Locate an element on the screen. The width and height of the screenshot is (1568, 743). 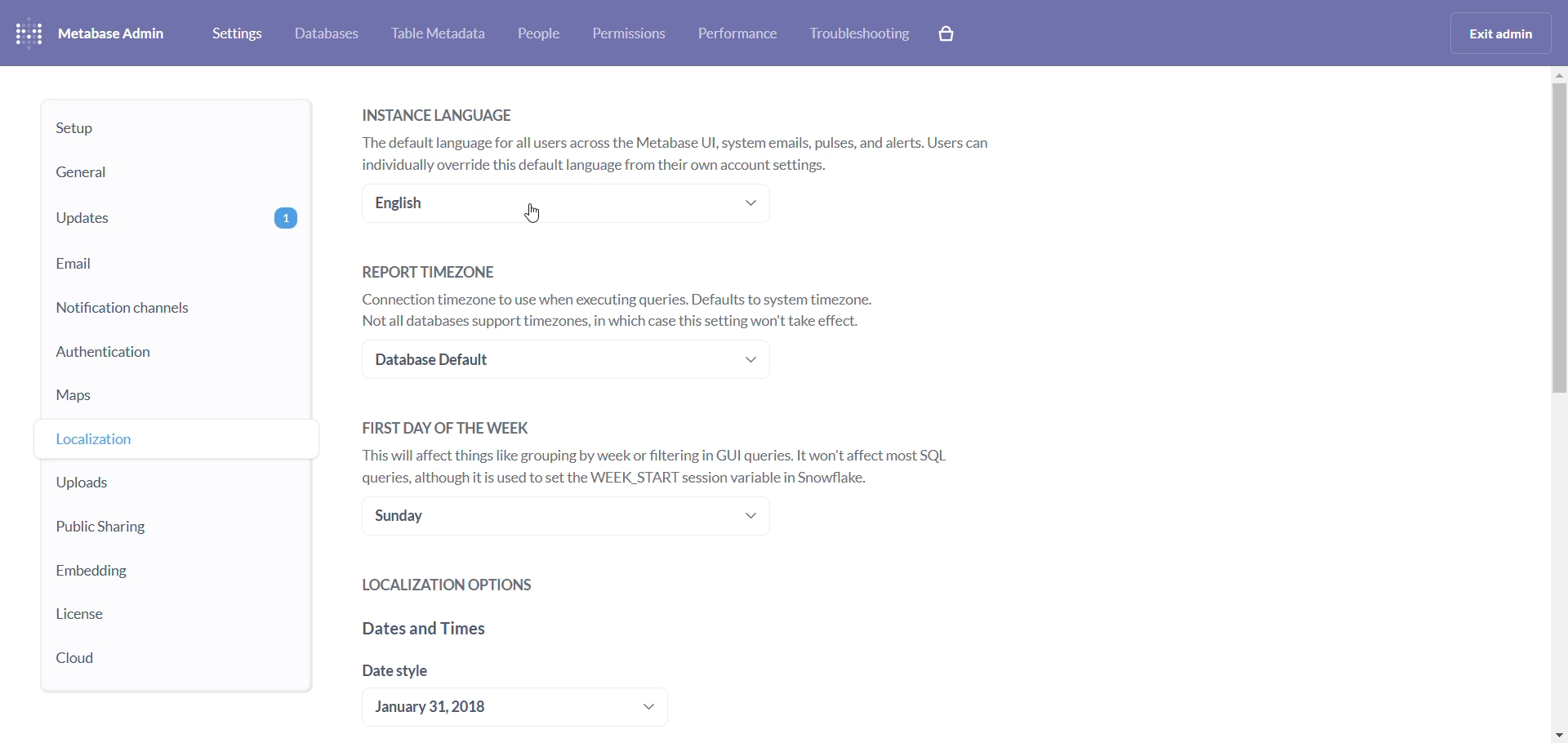
metabase admin is located at coordinates (99, 30).